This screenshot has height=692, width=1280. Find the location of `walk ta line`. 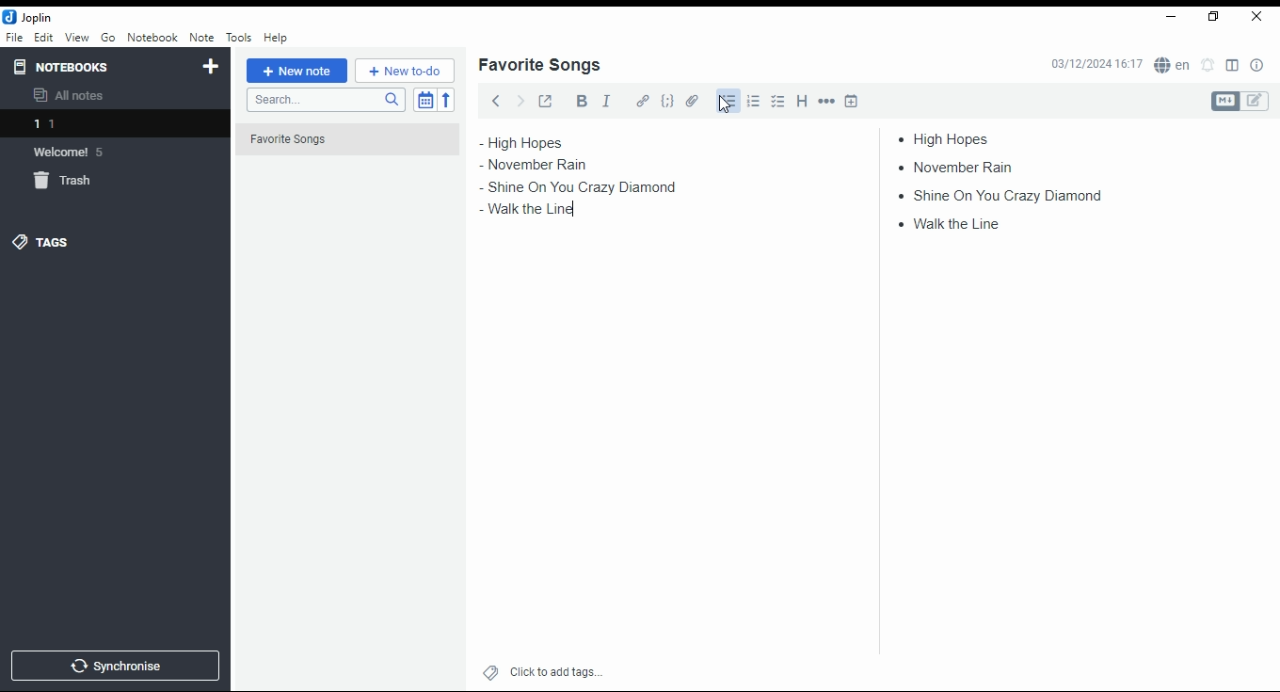

walk ta line is located at coordinates (522, 211).